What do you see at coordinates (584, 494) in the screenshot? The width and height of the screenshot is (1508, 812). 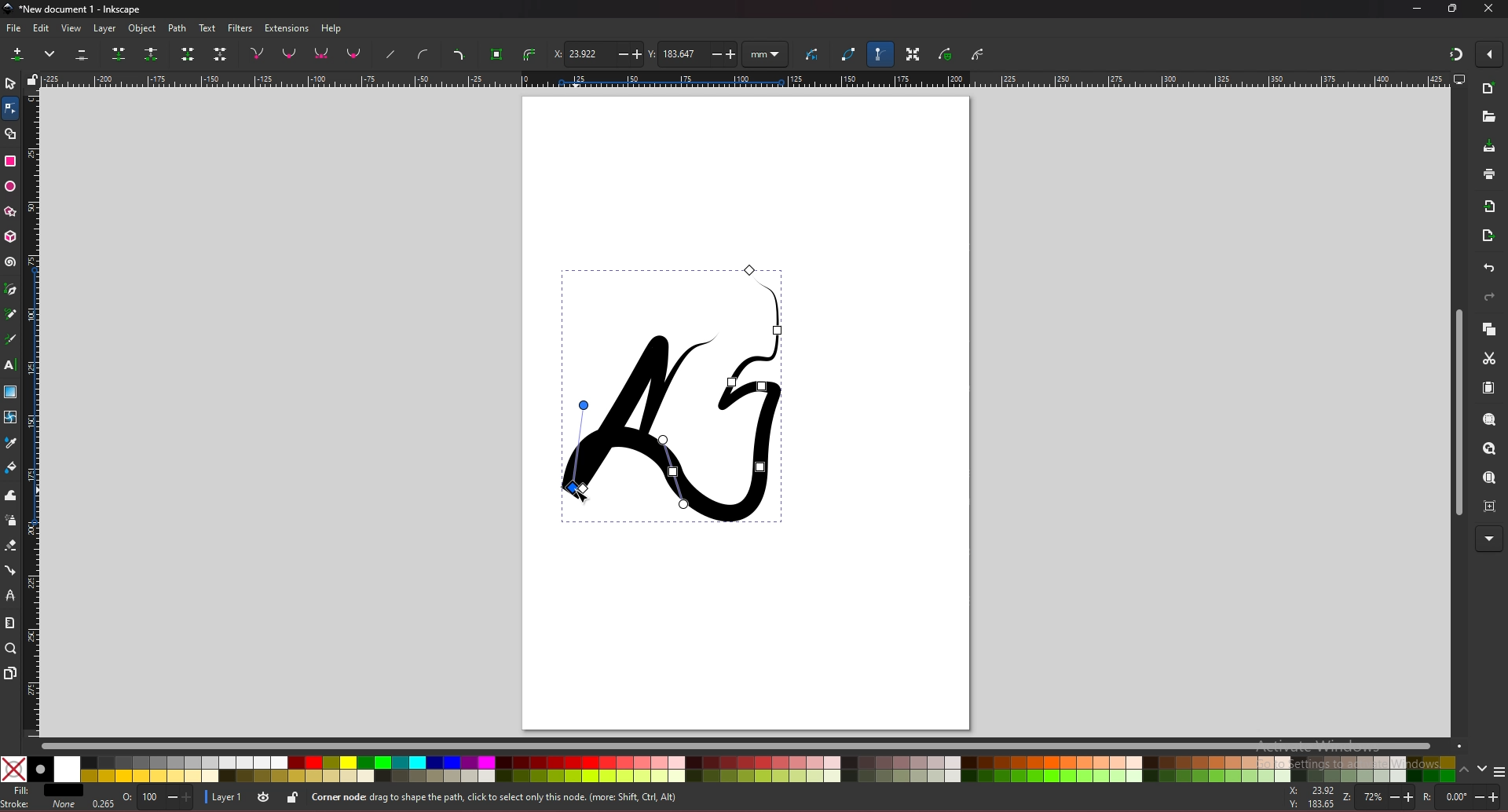 I see `cursor` at bounding box center [584, 494].